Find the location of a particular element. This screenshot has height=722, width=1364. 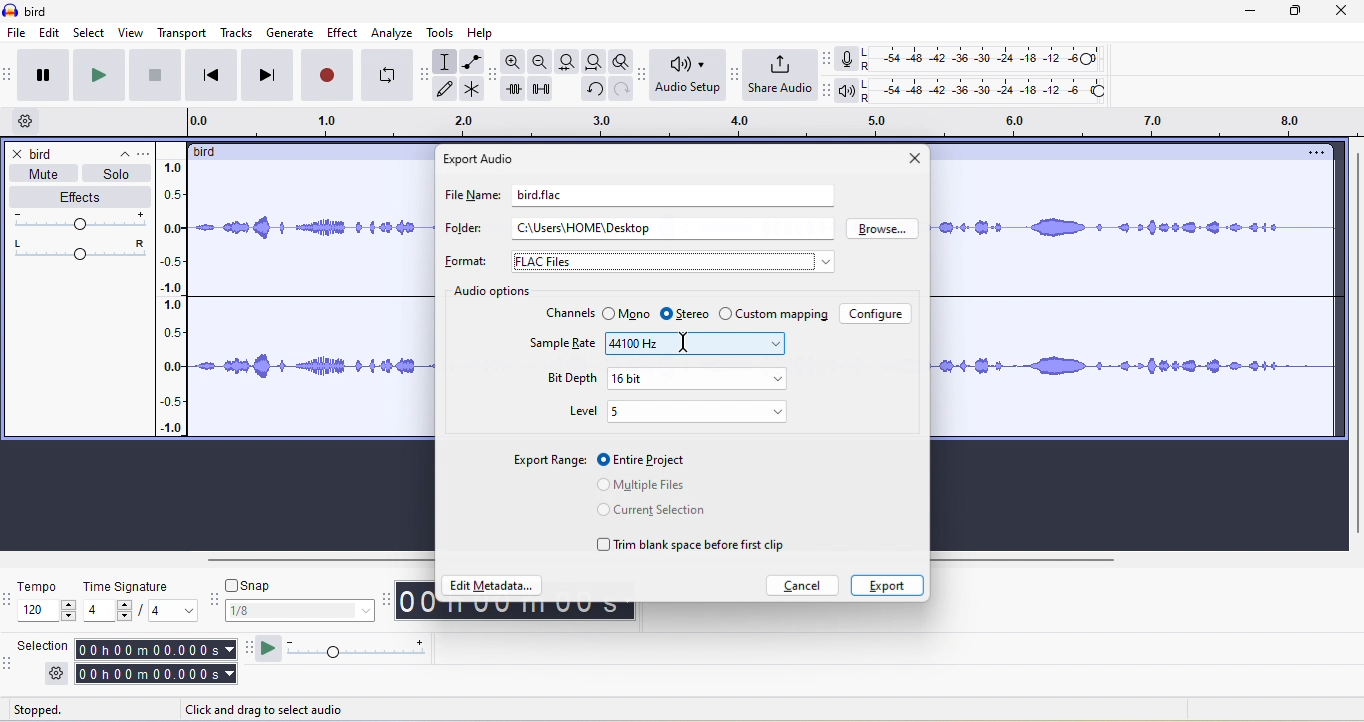

envelope tool is located at coordinates (470, 62).